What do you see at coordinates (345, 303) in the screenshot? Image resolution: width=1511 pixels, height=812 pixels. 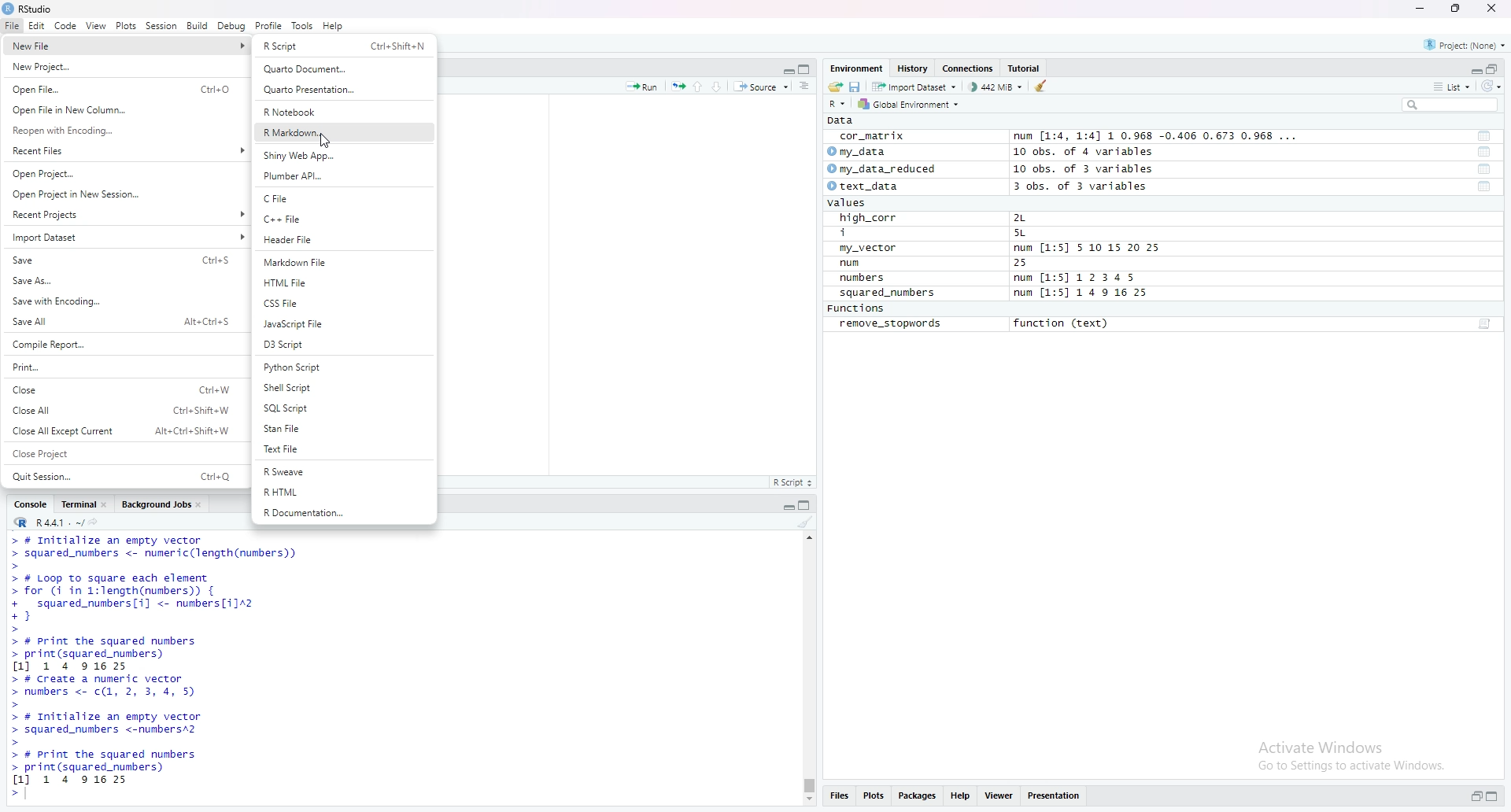 I see `CSS File` at bounding box center [345, 303].